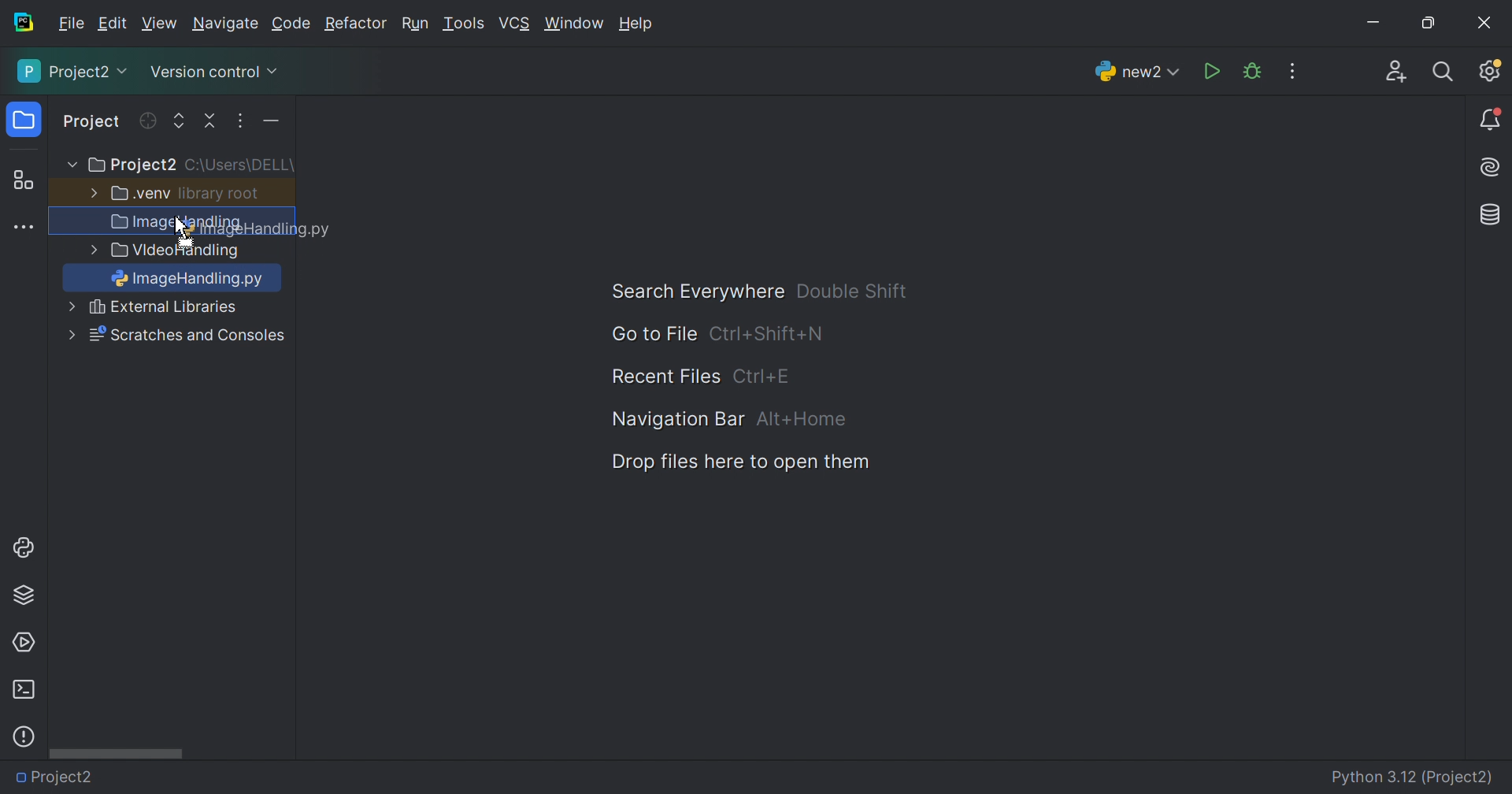 The height and width of the screenshot is (794, 1512). Describe the element at coordinates (1137, 76) in the screenshot. I see `new2` at that location.